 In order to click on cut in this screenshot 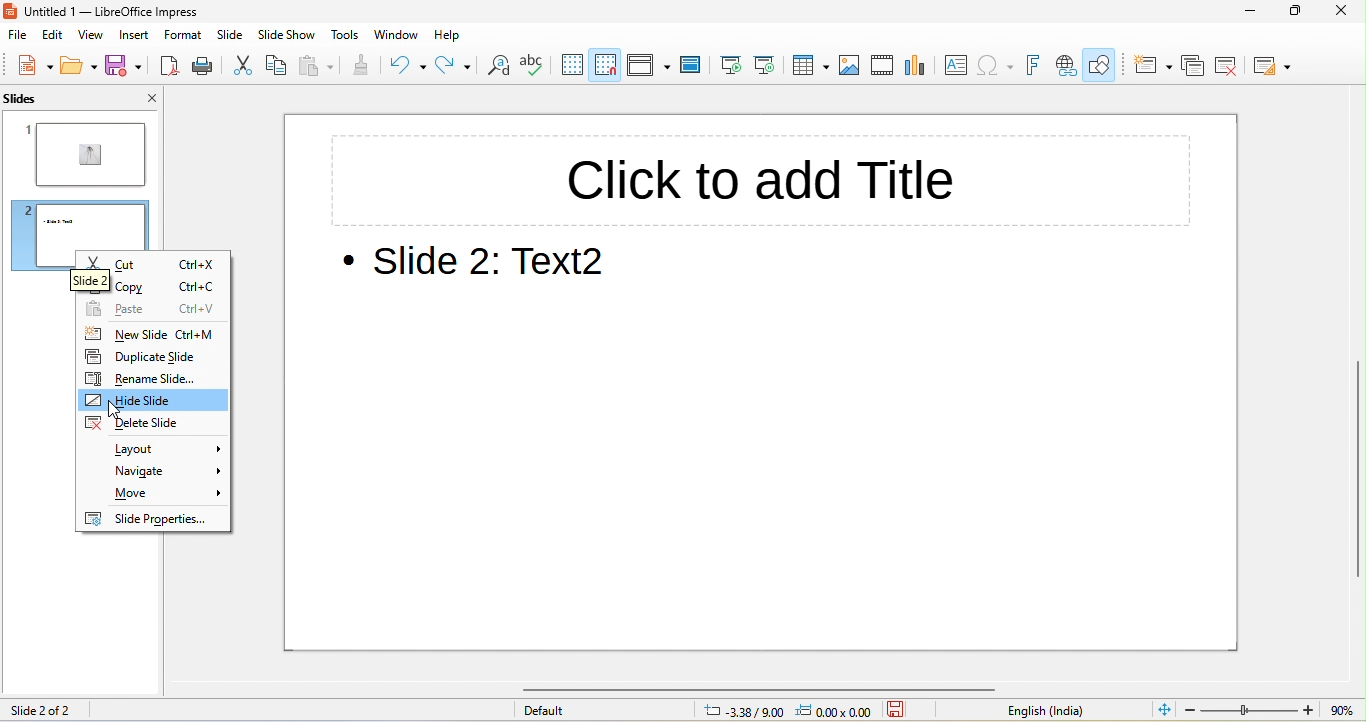, I will do `click(245, 67)`.